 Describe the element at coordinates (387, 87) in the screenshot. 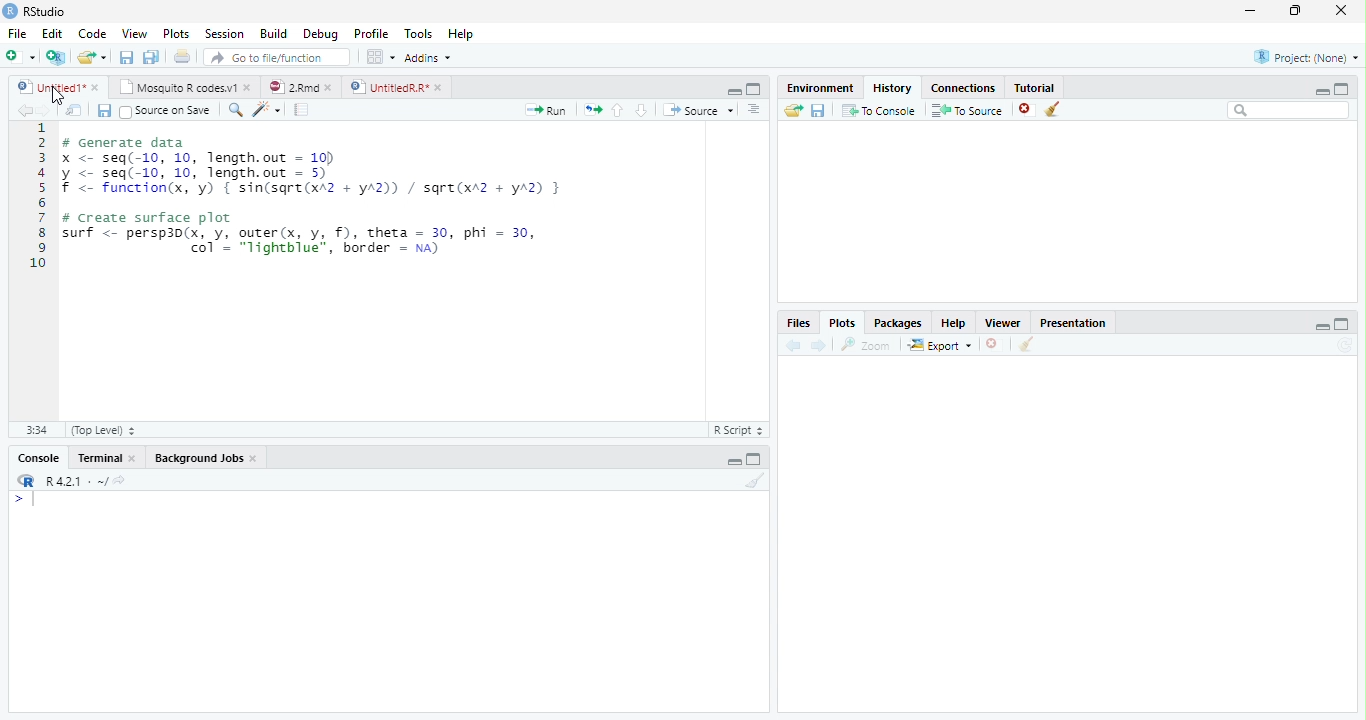

I see `UntitledR.R*` at that location.